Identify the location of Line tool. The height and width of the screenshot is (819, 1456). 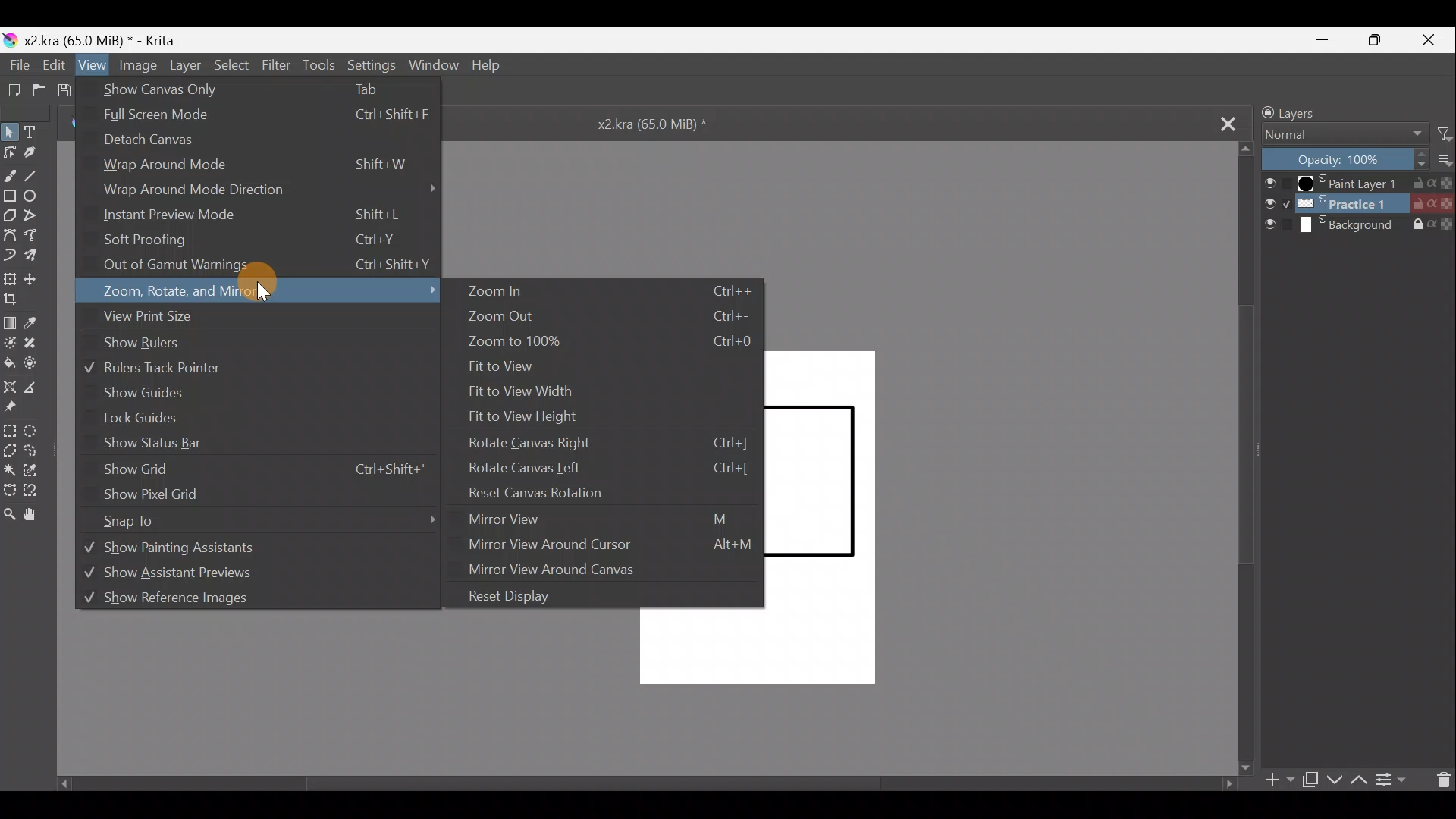
(38, 174).